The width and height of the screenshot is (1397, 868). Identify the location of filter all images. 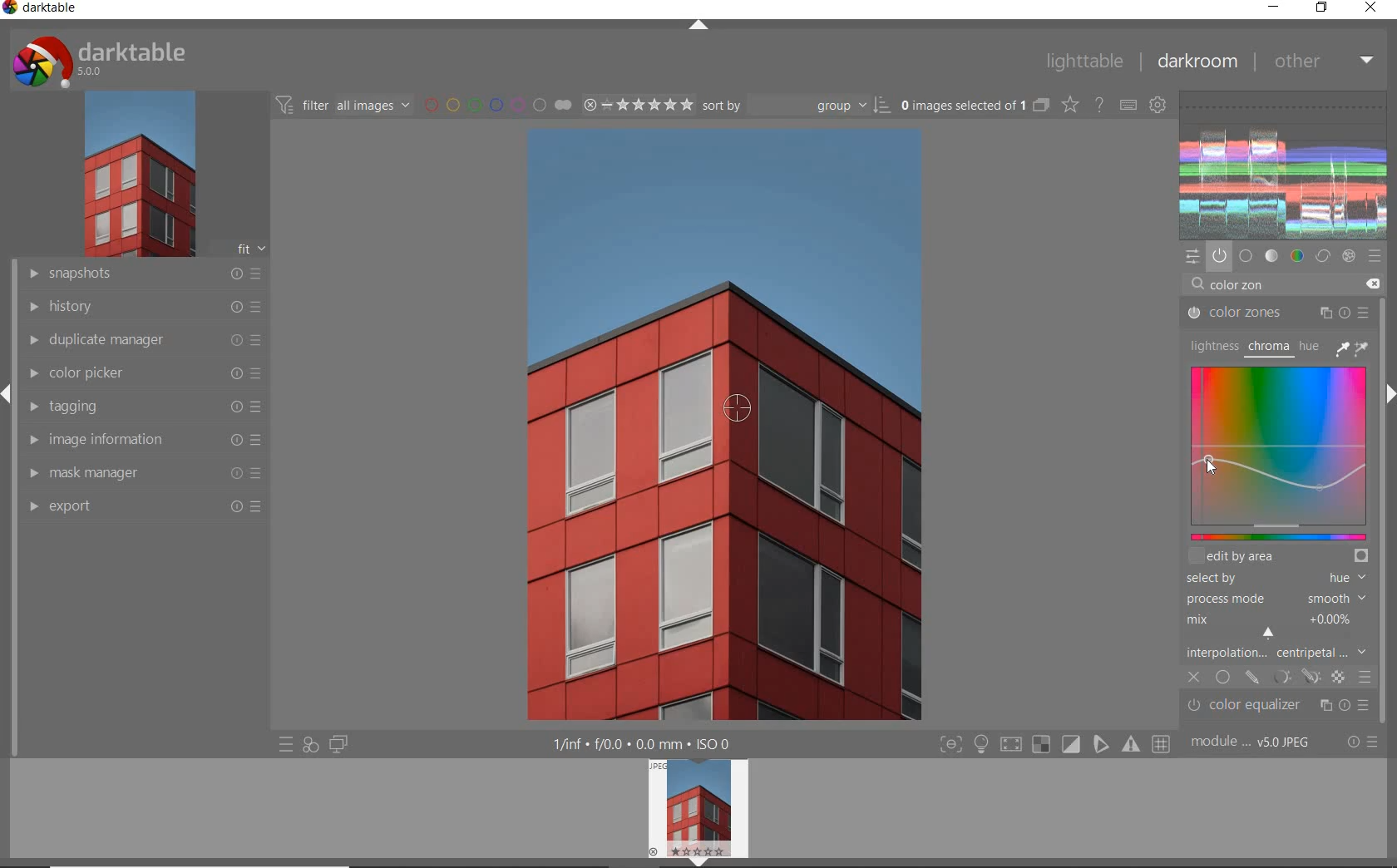
(344, 105).